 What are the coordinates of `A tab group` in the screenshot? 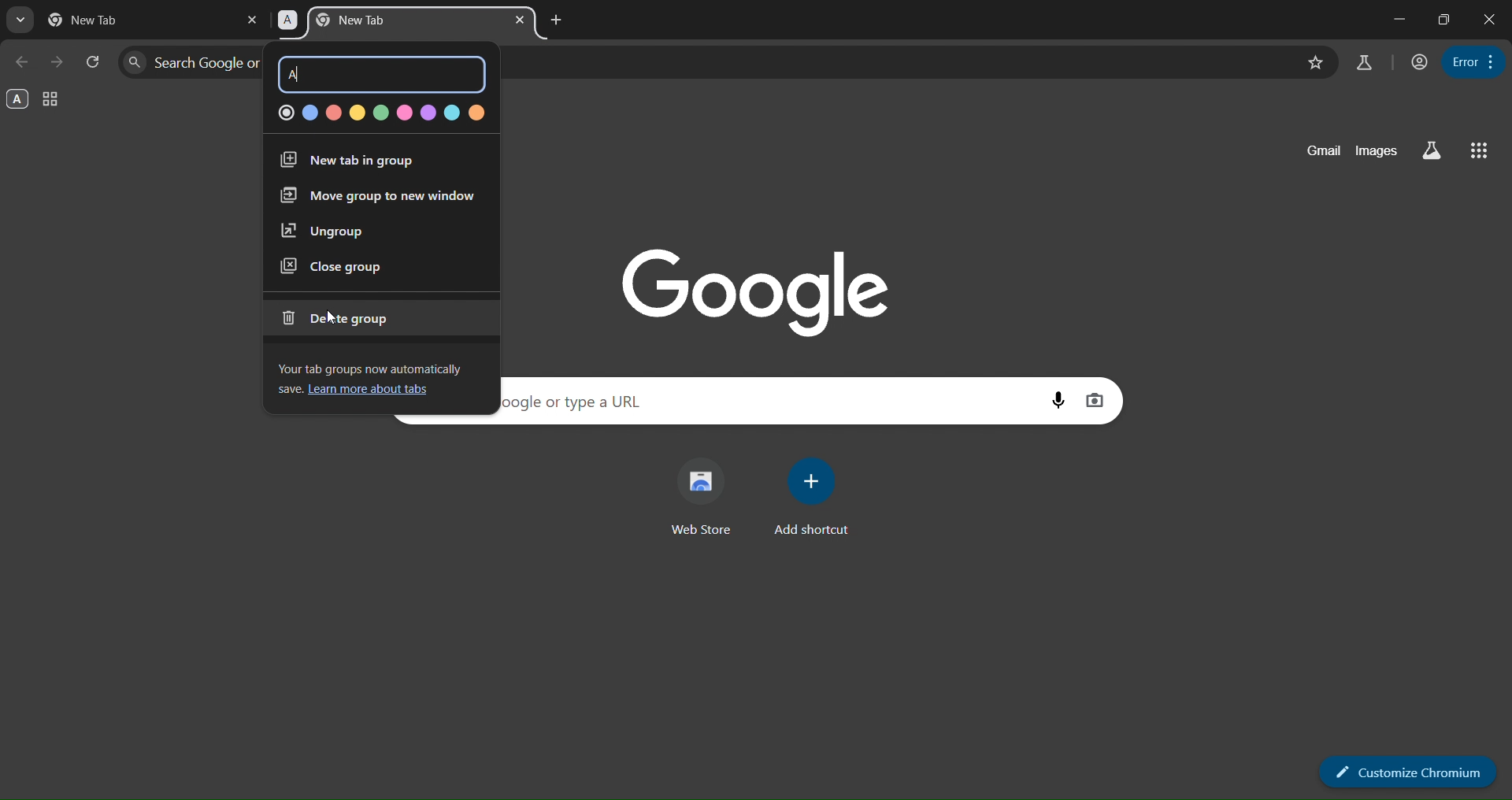 It's located at (18, 99).